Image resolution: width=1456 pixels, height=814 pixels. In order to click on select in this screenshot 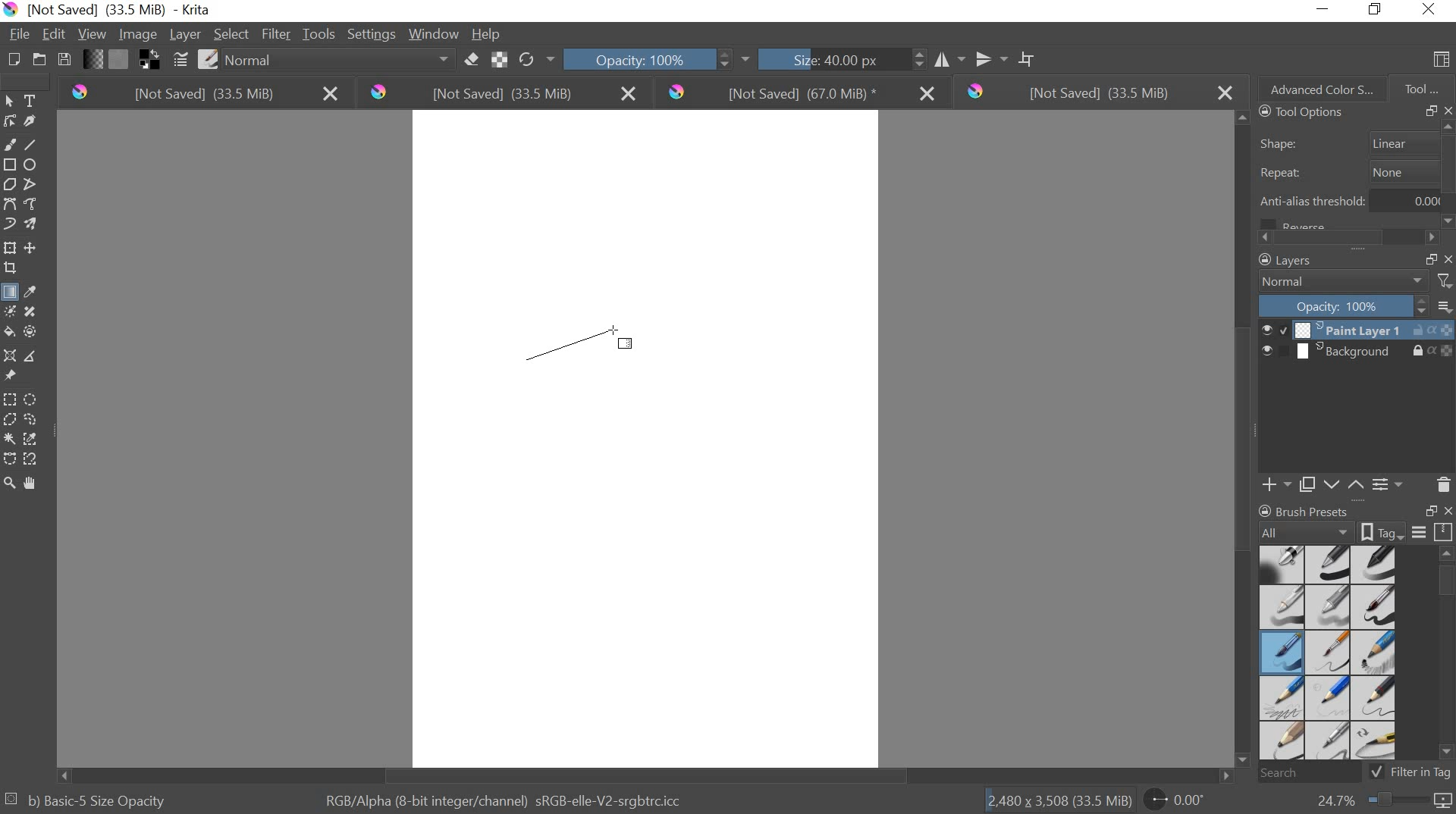, I will do `click(12, 102)`.